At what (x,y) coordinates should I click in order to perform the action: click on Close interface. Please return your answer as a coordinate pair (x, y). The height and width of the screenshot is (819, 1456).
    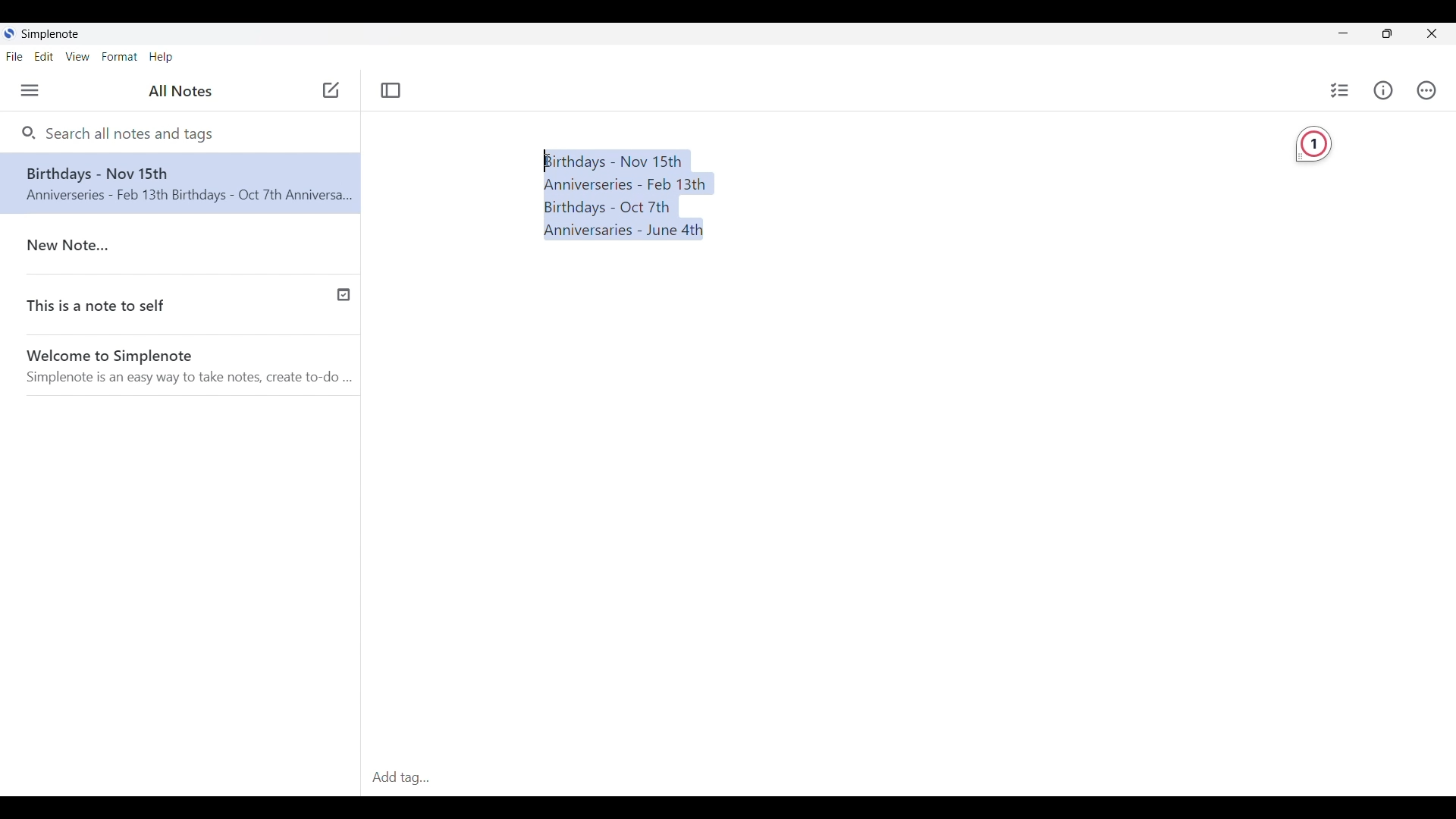
    Looking at the image, I should click on (1432, 33).